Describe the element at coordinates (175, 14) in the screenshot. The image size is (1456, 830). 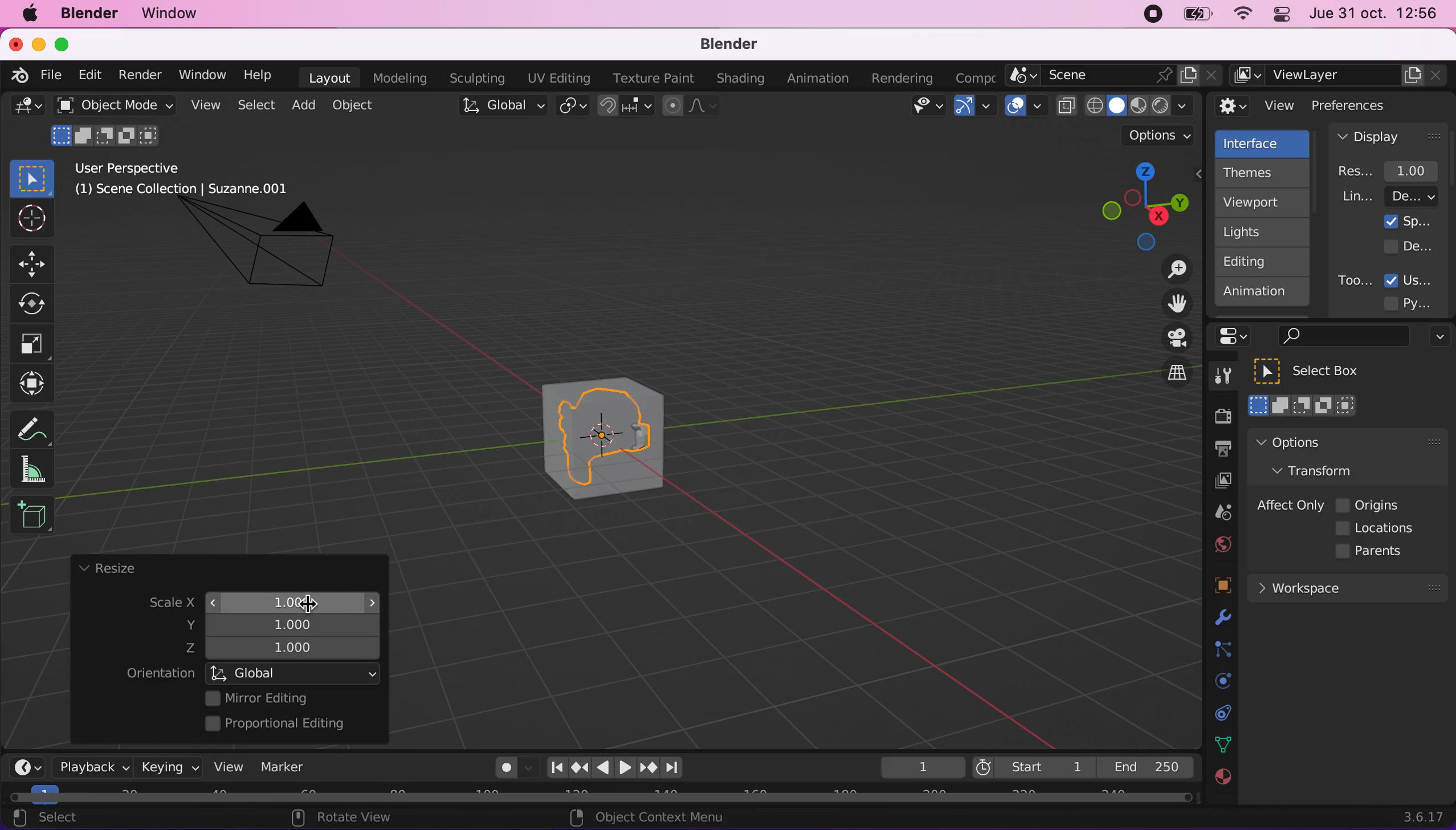
I see `window` at that location.